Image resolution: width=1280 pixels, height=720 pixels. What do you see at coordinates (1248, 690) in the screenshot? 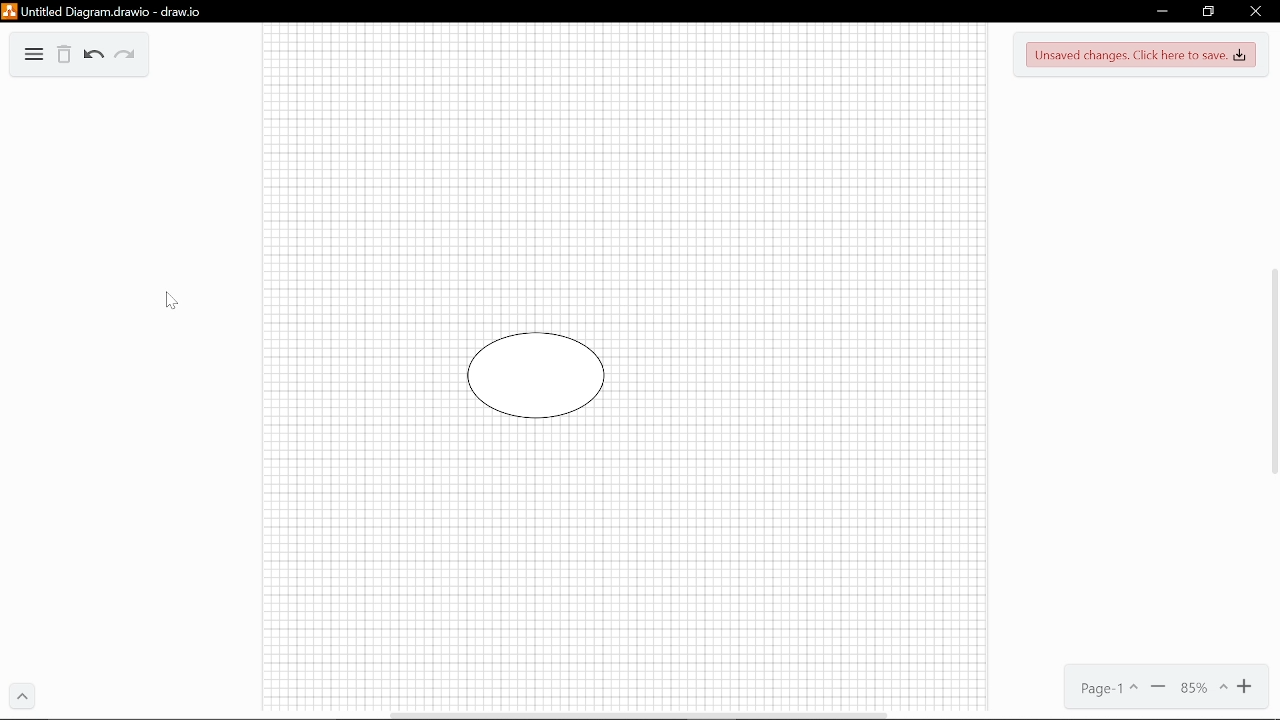
I see `Zoom in` at bounding box center [1248, 690].